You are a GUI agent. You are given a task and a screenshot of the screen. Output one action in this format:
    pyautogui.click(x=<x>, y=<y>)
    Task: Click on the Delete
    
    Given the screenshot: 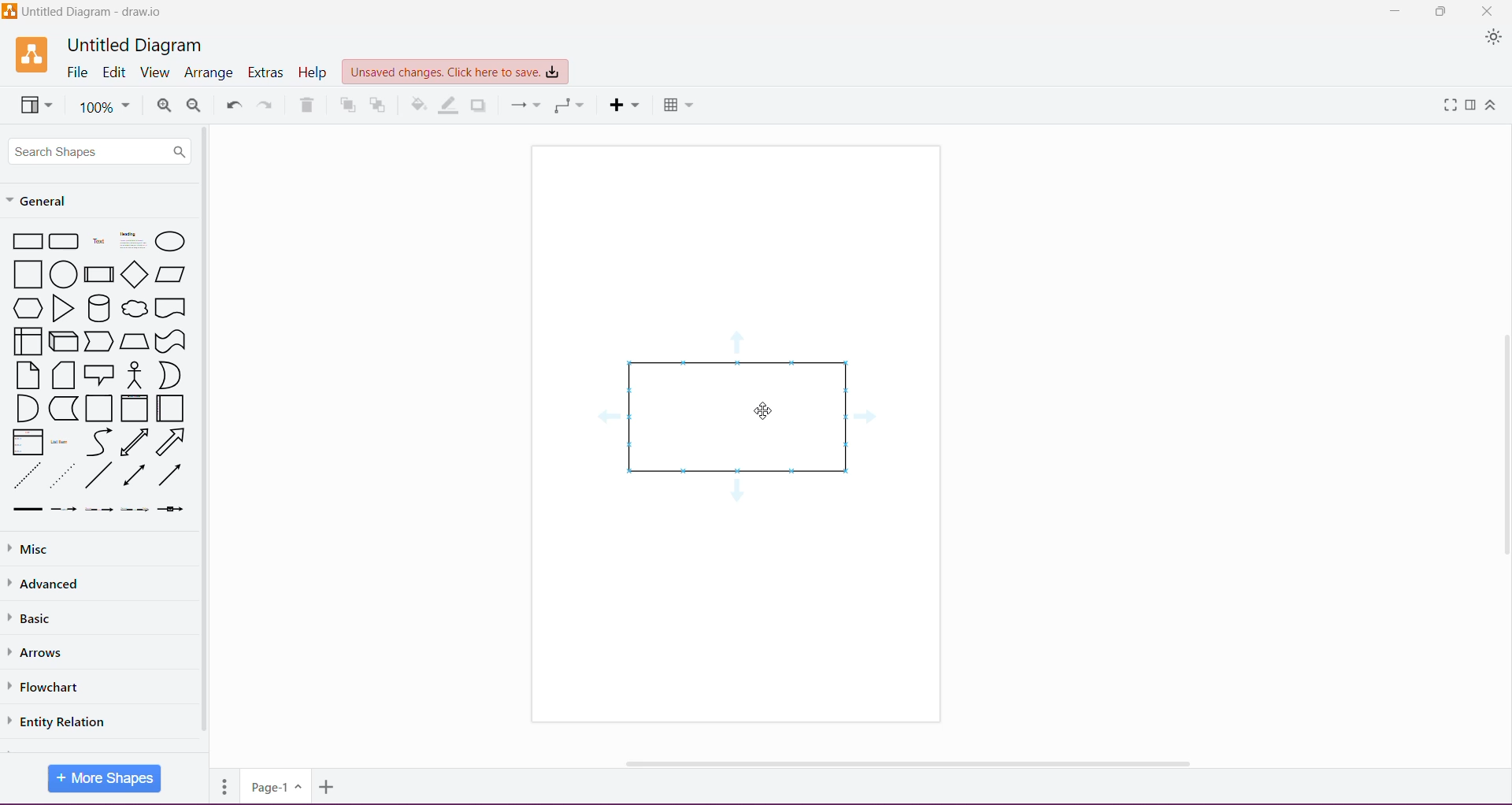 What is the action you would take?
    pyautogui.click(x=308, y=105)
    